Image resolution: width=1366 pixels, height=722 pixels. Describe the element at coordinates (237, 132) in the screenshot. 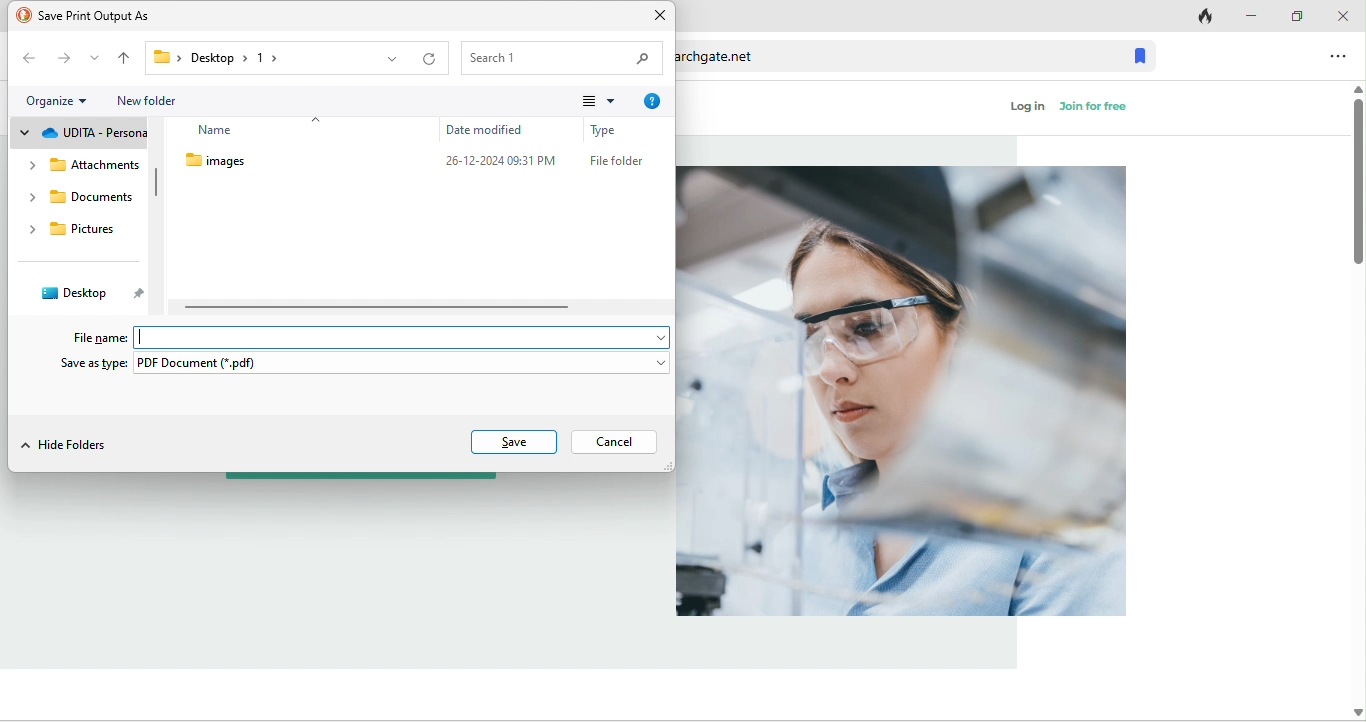

I see `name` at that location.